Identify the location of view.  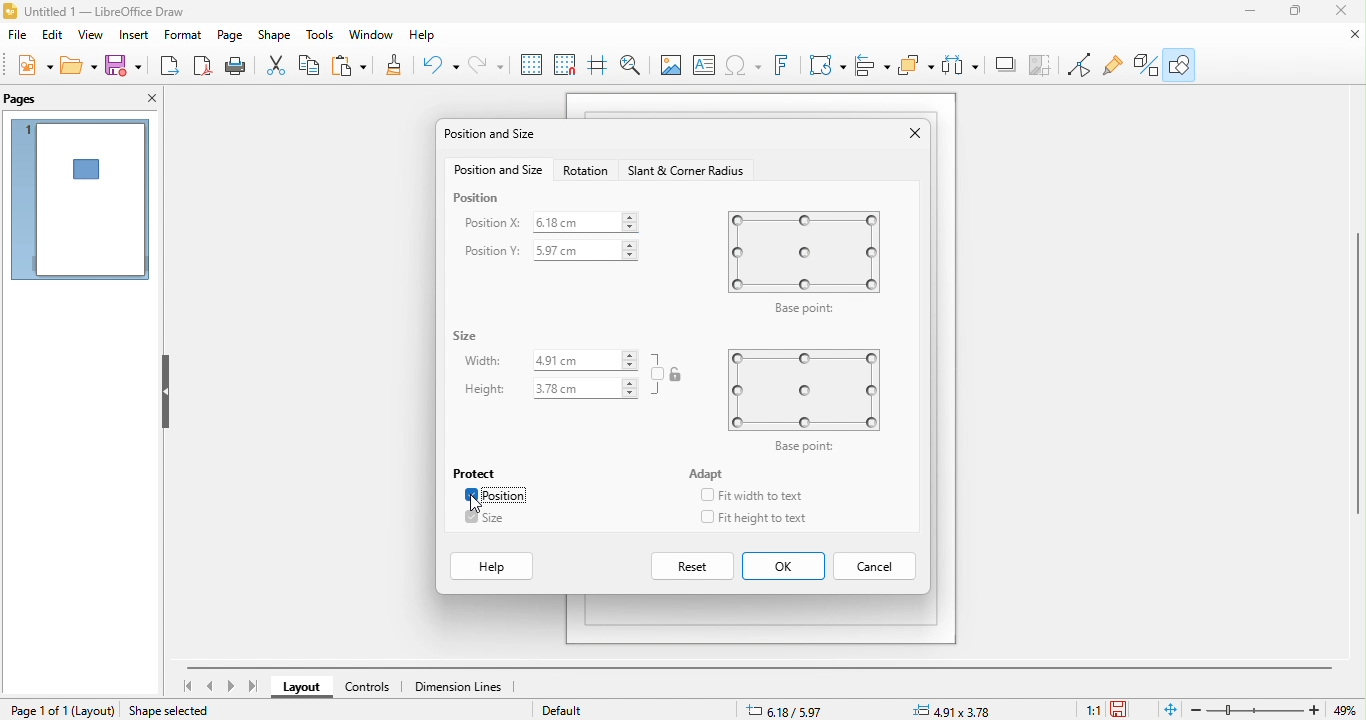
(92, 36).